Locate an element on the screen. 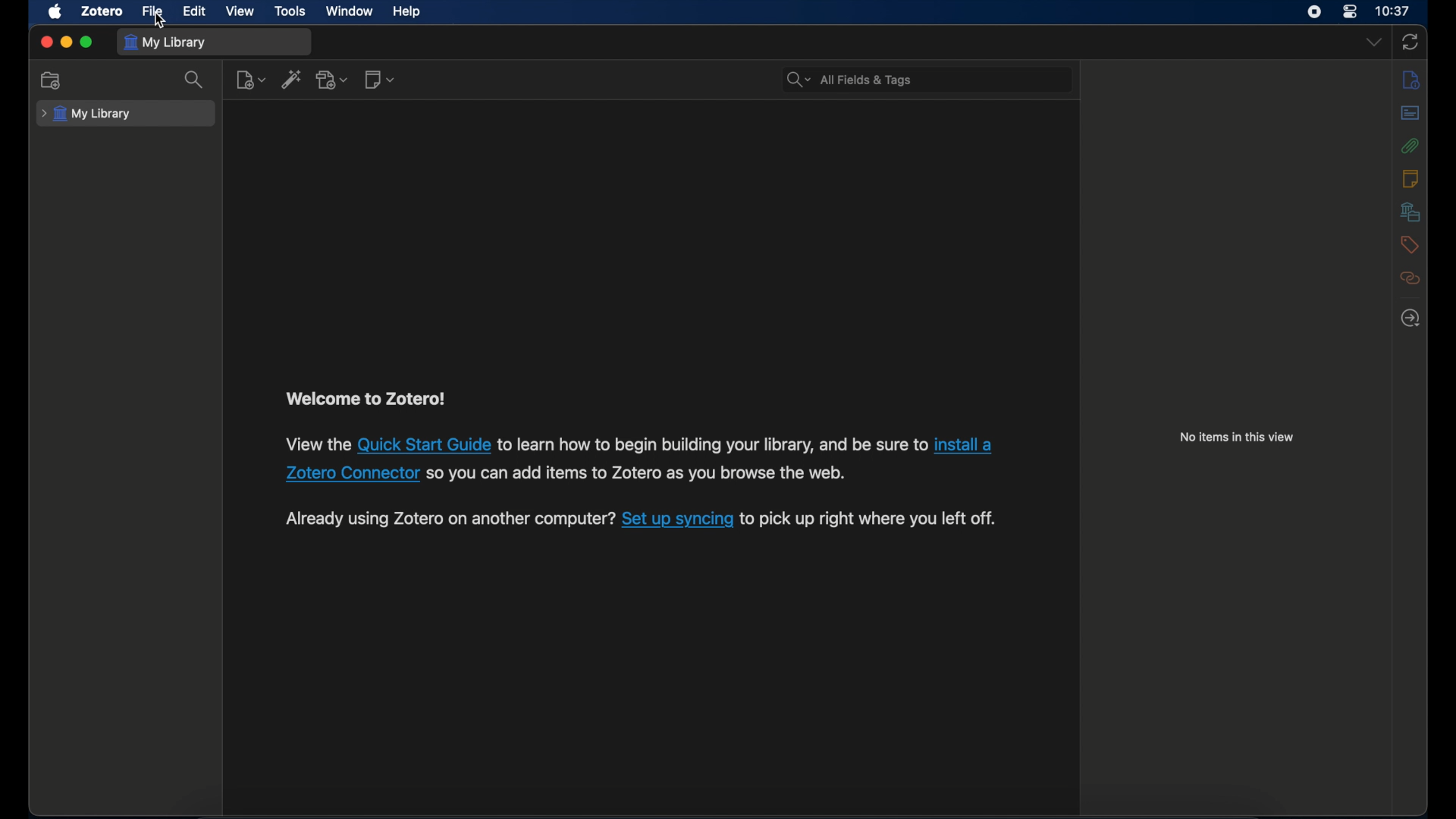  notes is located at coordinates (1410, 177).